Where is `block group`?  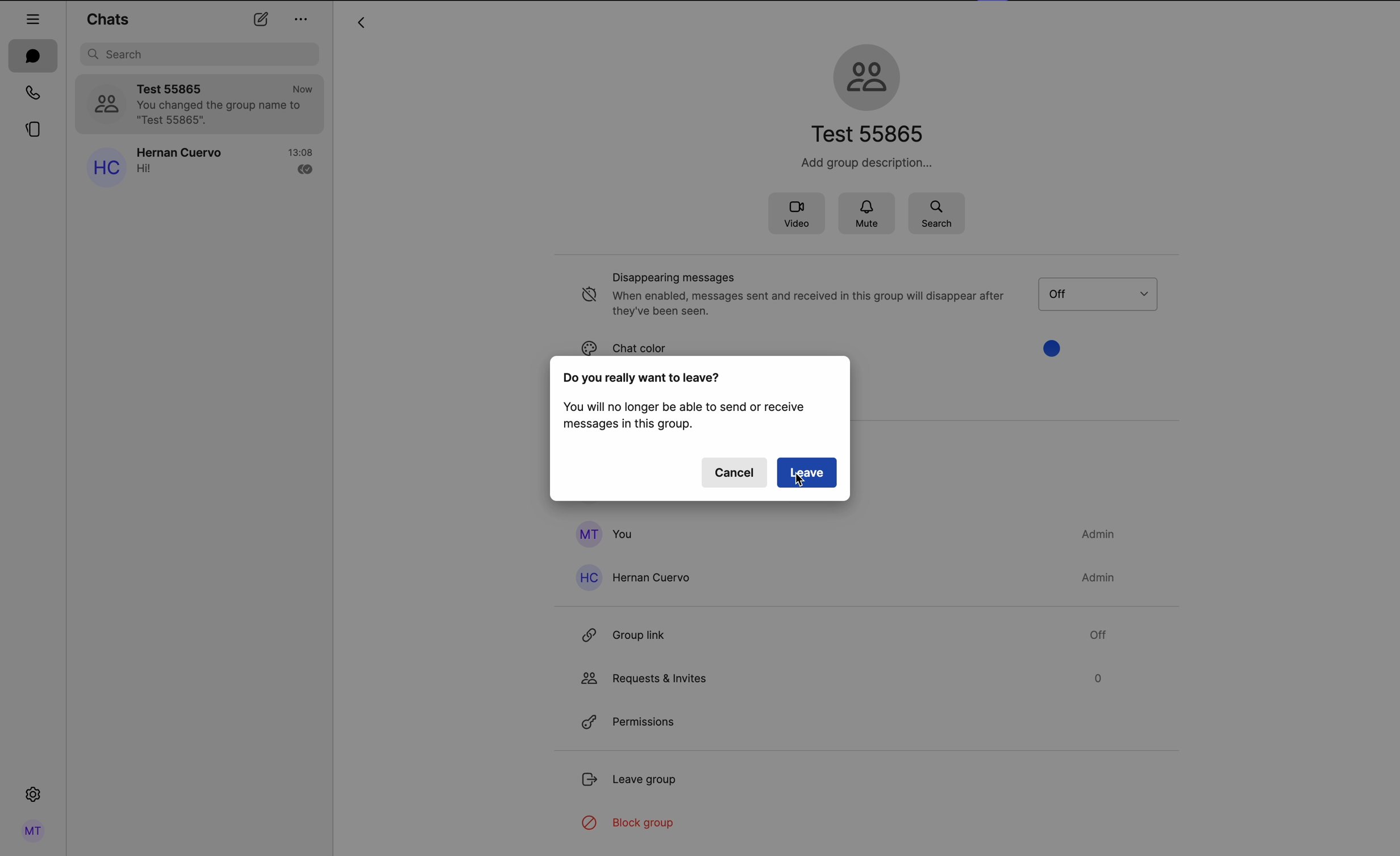
block group is located at coordinates (632, 825).